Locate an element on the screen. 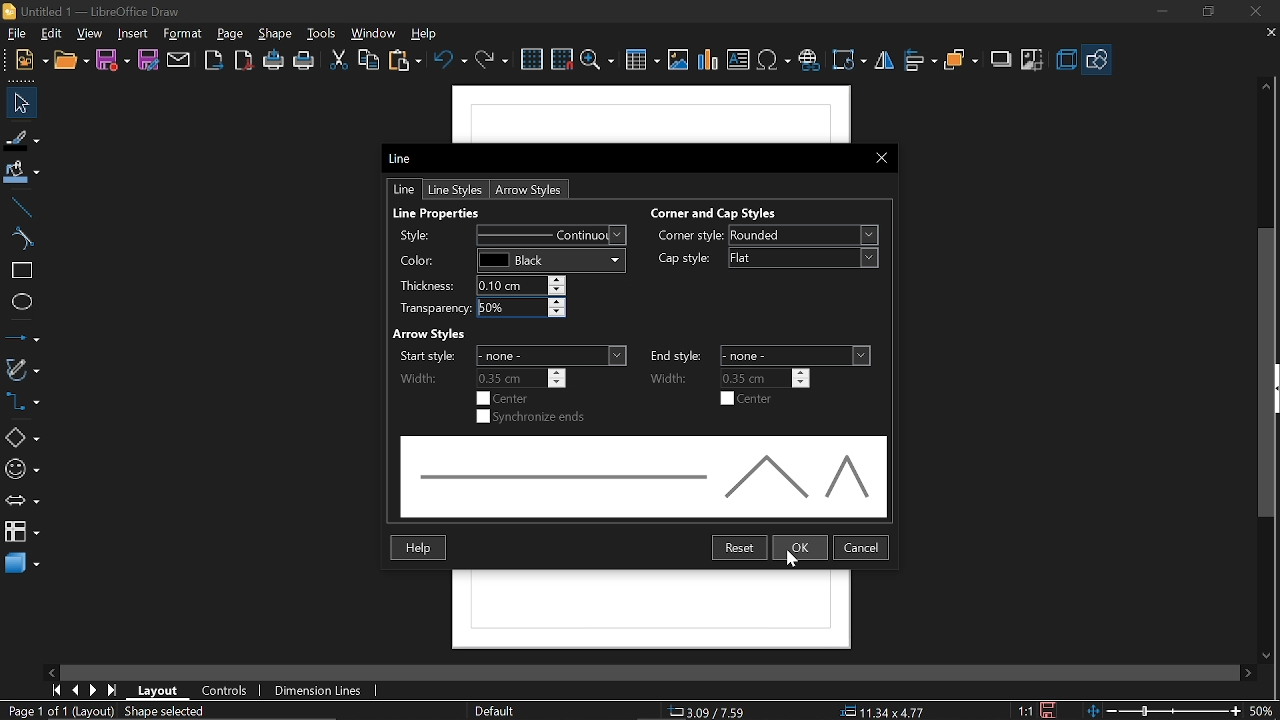  rectangle is located at coordinates (20, 271).